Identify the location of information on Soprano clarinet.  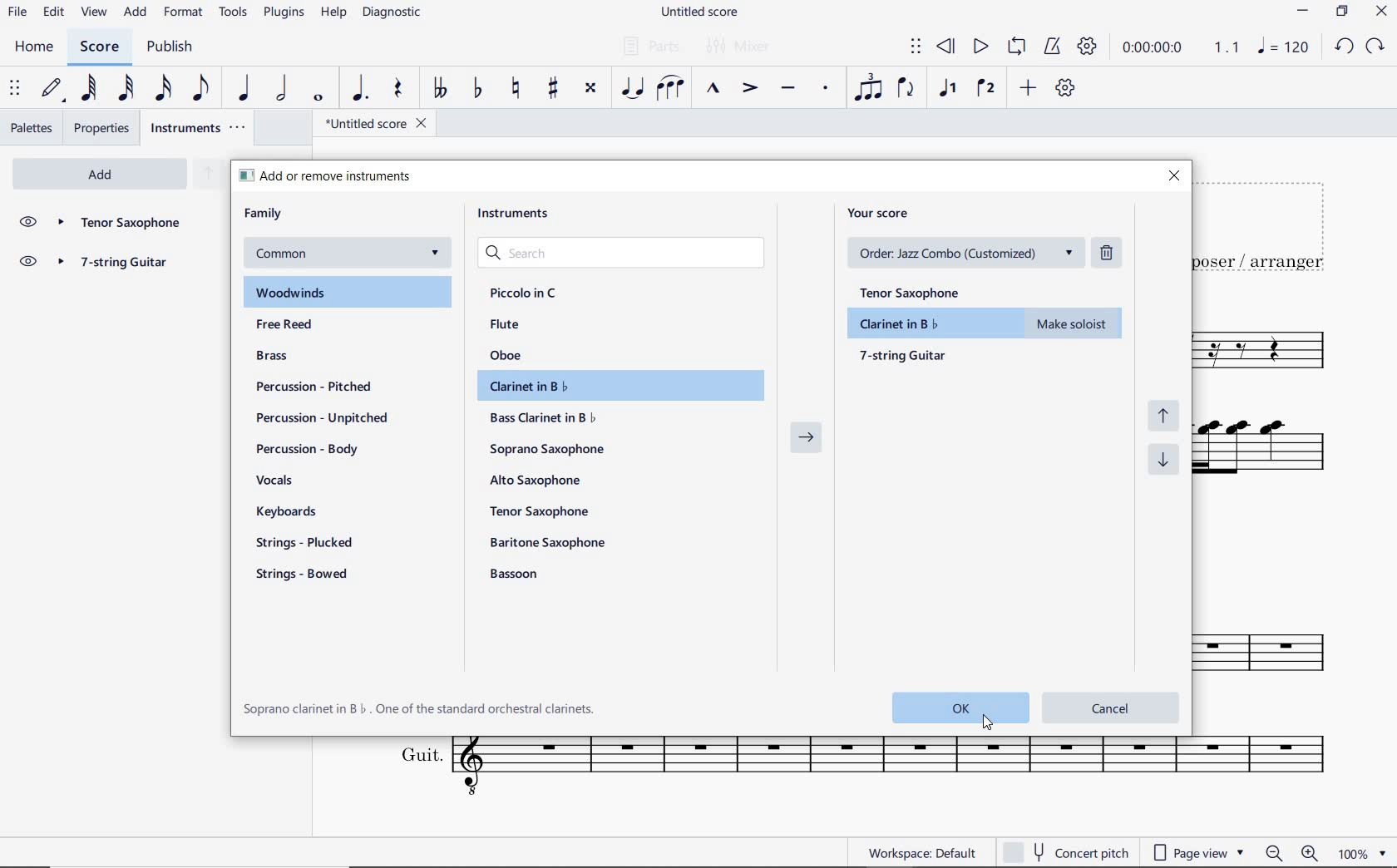
(420, 708).